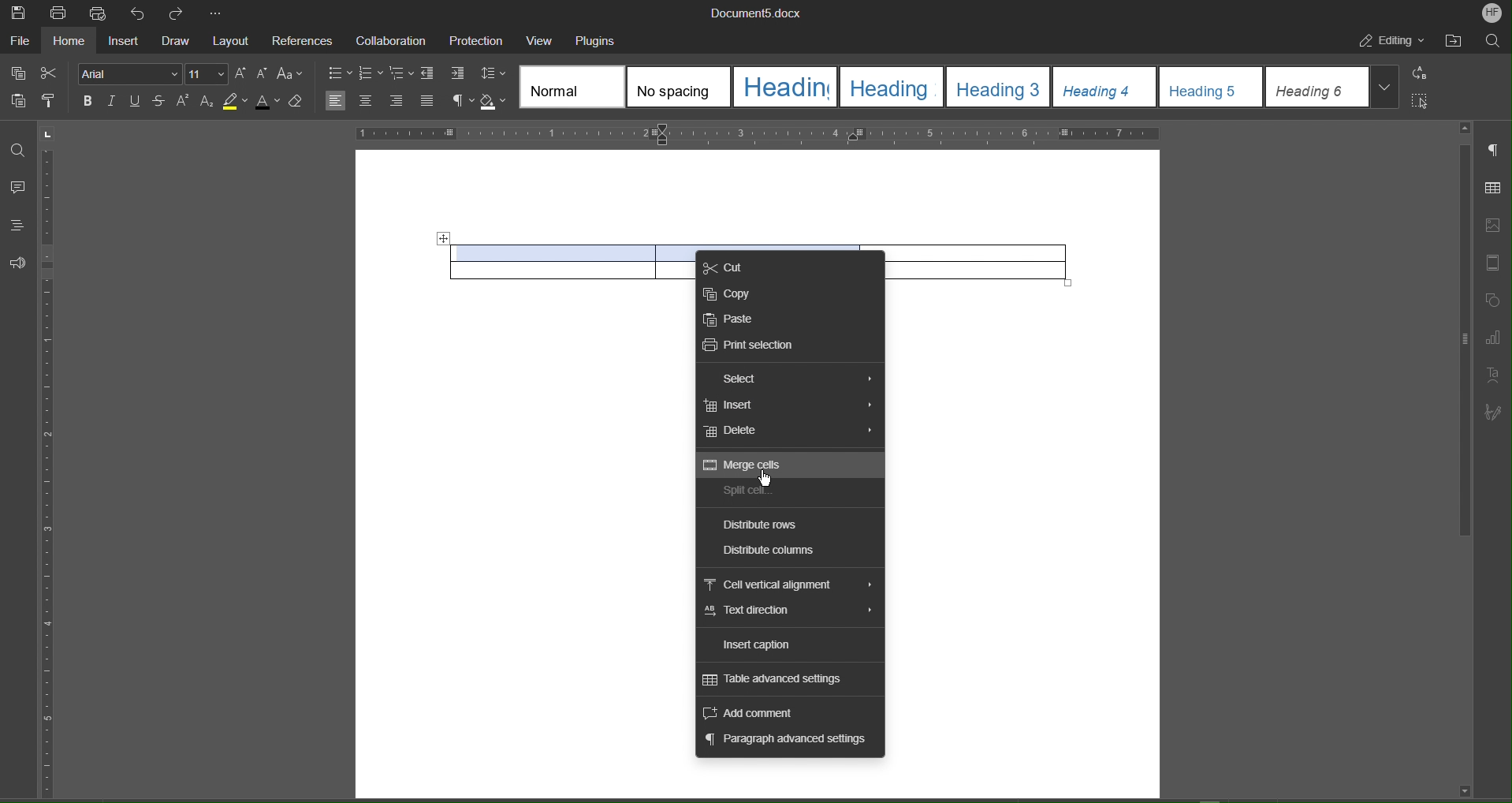  What do you see at coordinates (50, 71) in the screenshot?
I see `Cut` at bounding box center [50, 71].